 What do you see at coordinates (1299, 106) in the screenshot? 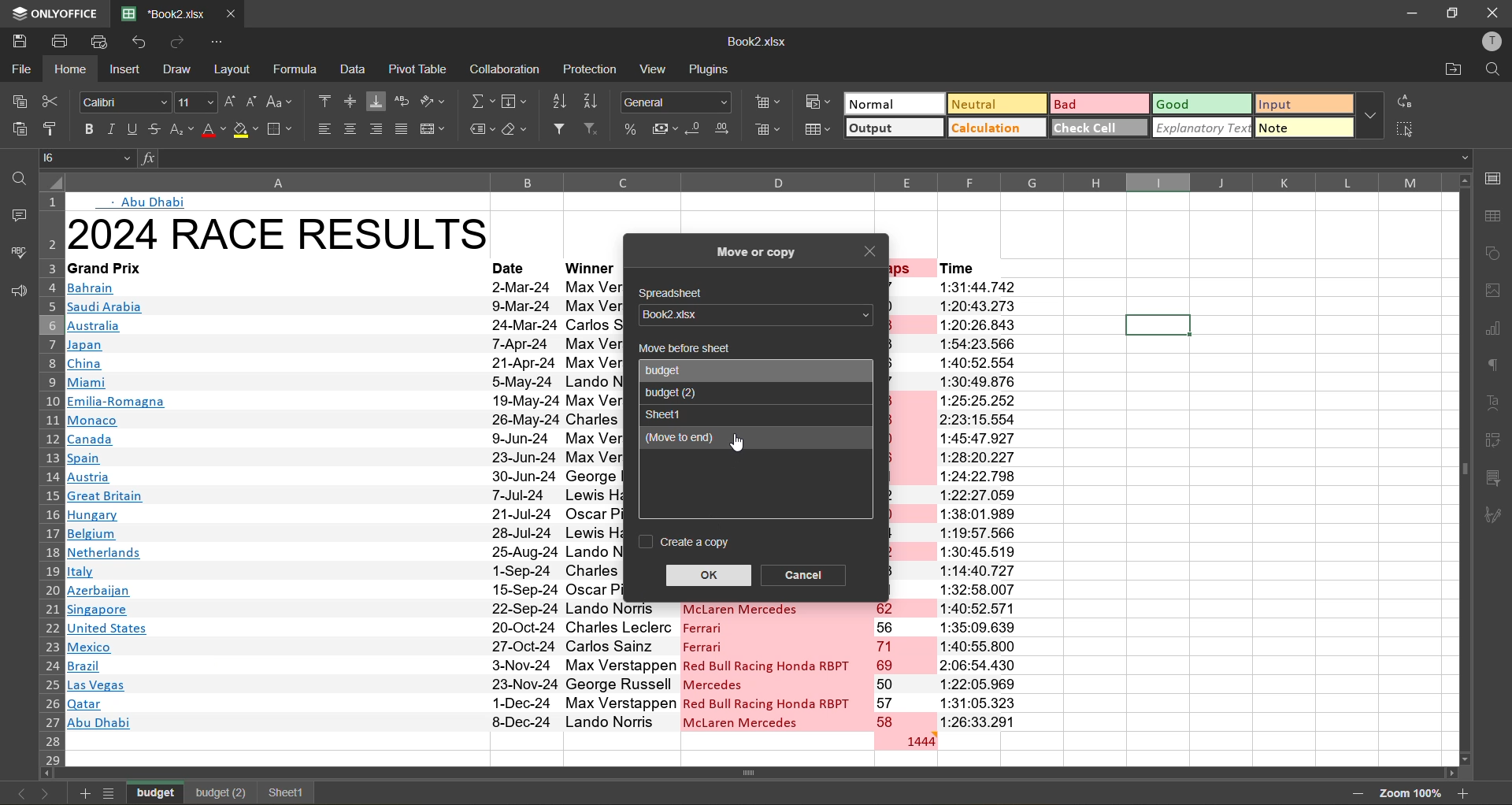
I see `input` at bounding box center [1299, 106].